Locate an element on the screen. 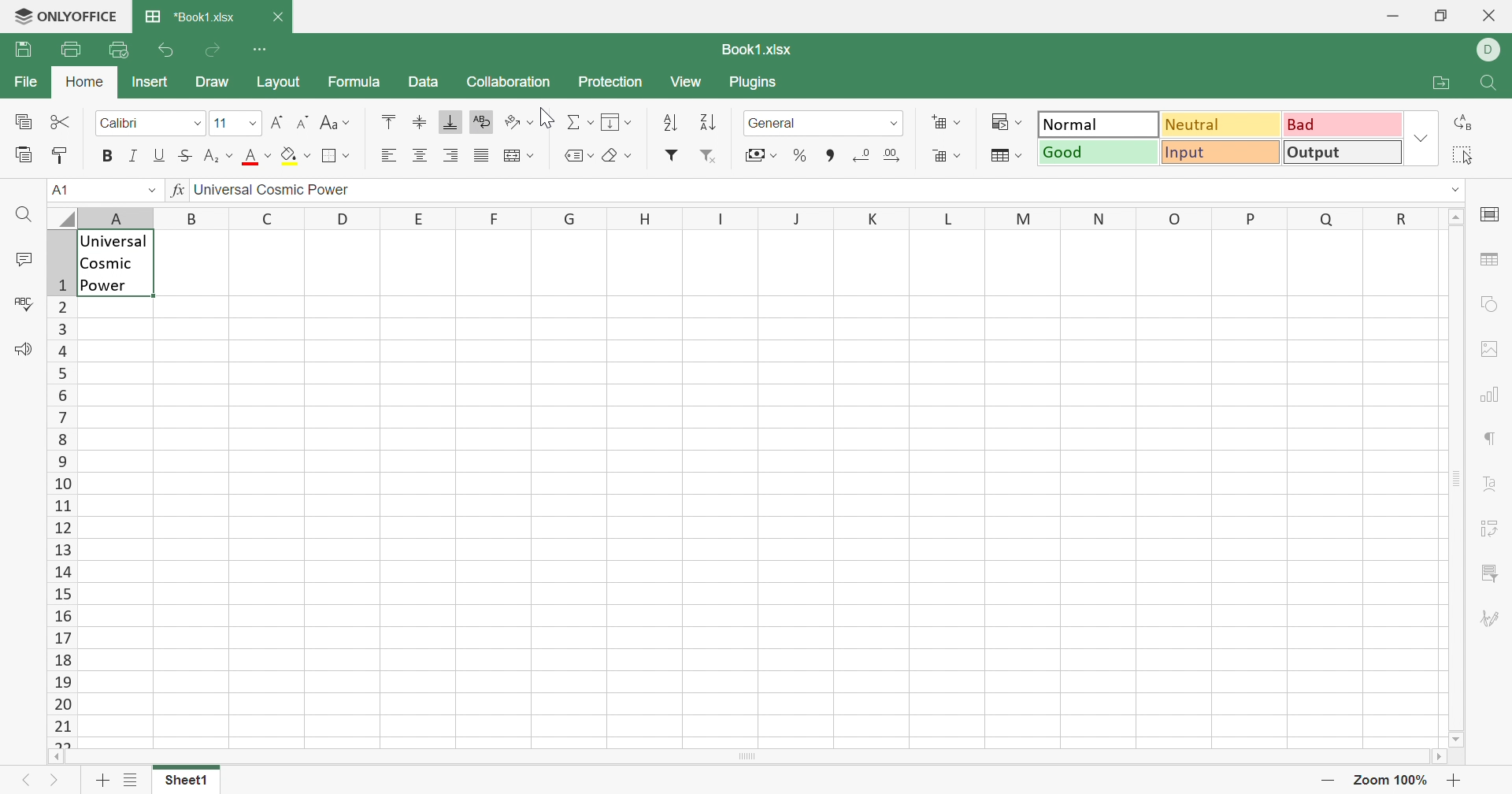 Image resolution: width=1512 pixels, height=794 pixels. Decrease decimal is located at coordinates (863, 156).